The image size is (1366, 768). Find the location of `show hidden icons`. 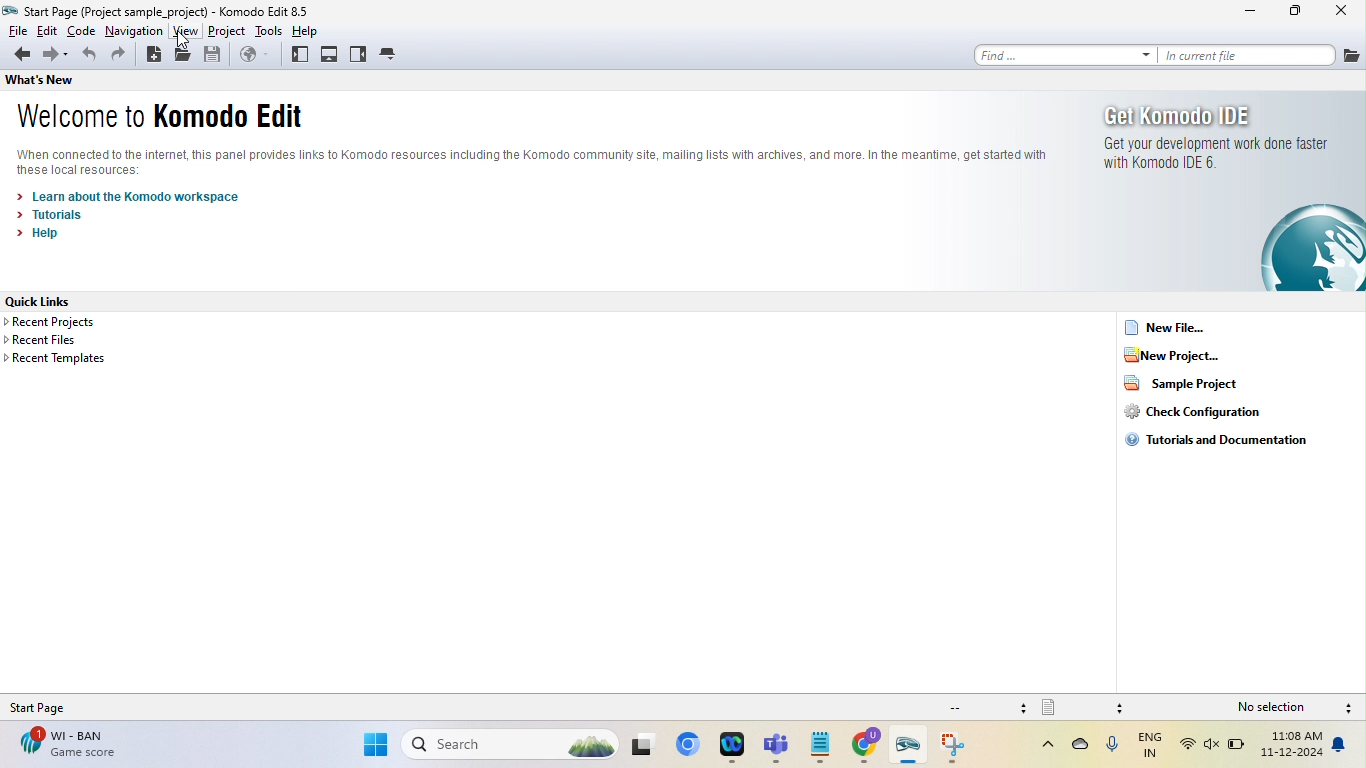

show hidden icons is located at coordinates (1037, 745).